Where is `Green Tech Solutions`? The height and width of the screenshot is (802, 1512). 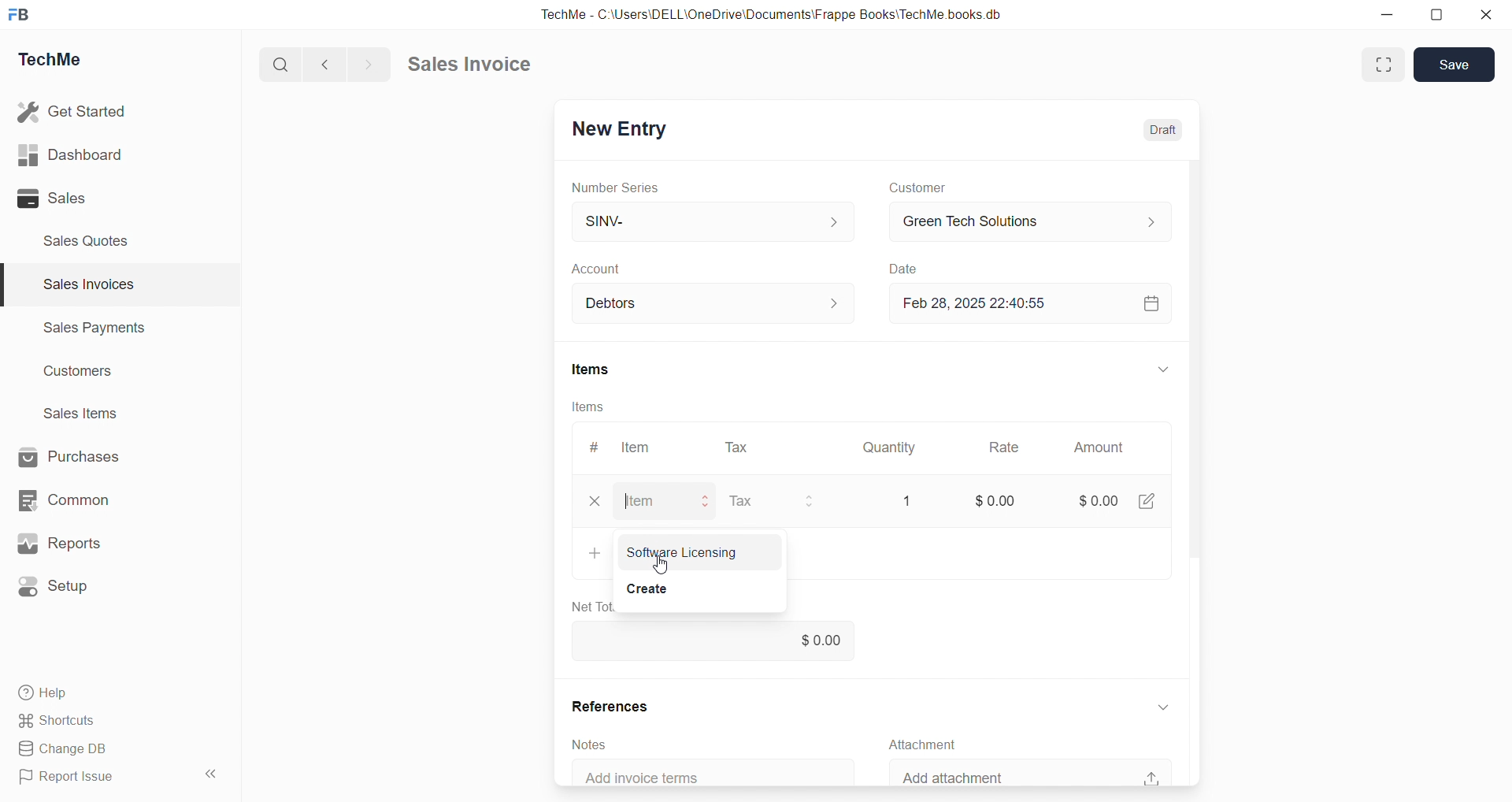 Green Tech Solutions is located at coordinates (1032, 221).